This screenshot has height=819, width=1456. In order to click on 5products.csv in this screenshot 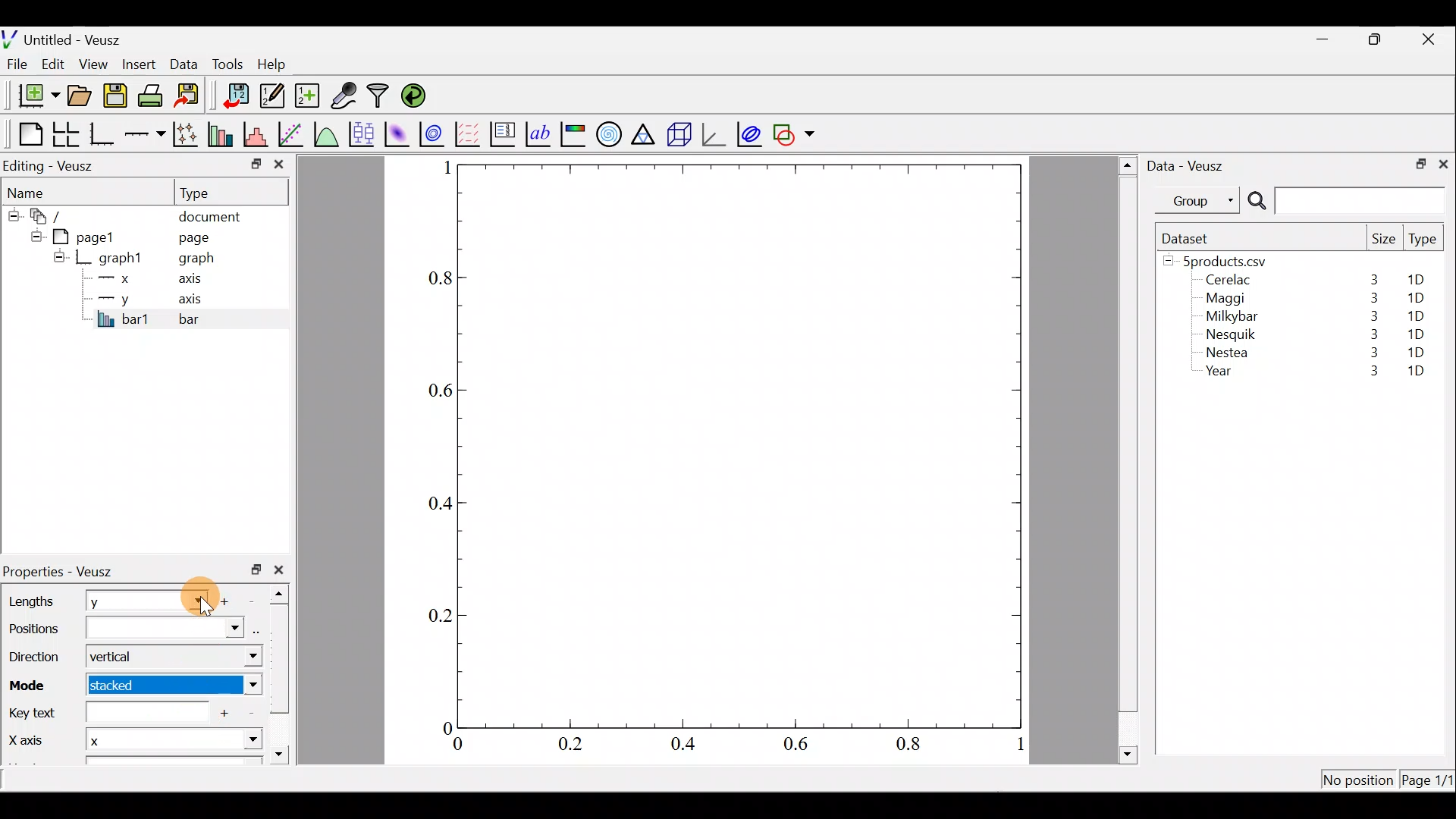, I will do `click(1223, 260)`.